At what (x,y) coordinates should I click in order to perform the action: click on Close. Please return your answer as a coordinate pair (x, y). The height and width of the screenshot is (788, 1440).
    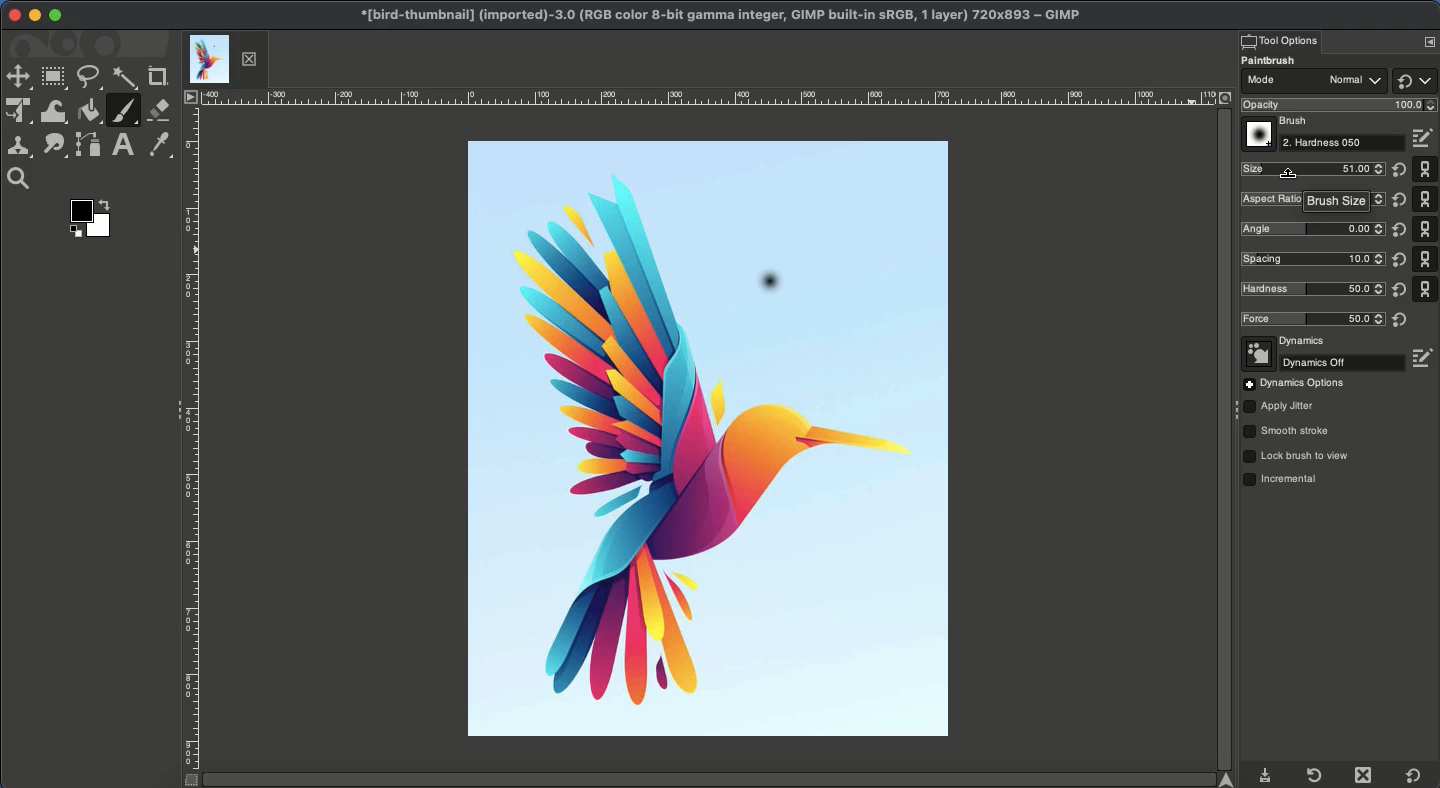
    Looking at the image, I should click on (15, 16).